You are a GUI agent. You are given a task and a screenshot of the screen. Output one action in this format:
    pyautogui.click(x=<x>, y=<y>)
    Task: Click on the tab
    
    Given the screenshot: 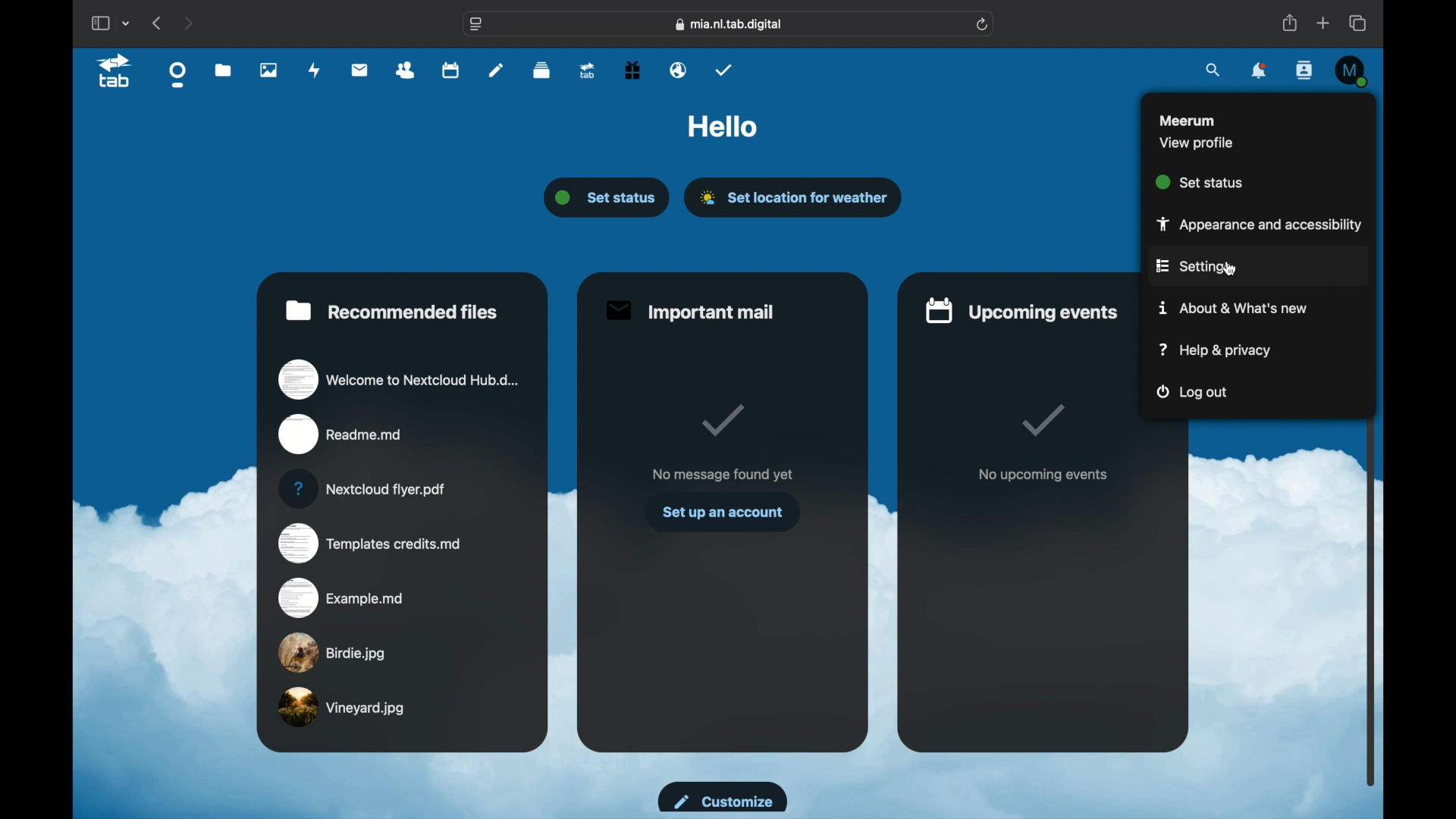 What is the action you would take?
    pyautogui.click(x=115, y=71)
    